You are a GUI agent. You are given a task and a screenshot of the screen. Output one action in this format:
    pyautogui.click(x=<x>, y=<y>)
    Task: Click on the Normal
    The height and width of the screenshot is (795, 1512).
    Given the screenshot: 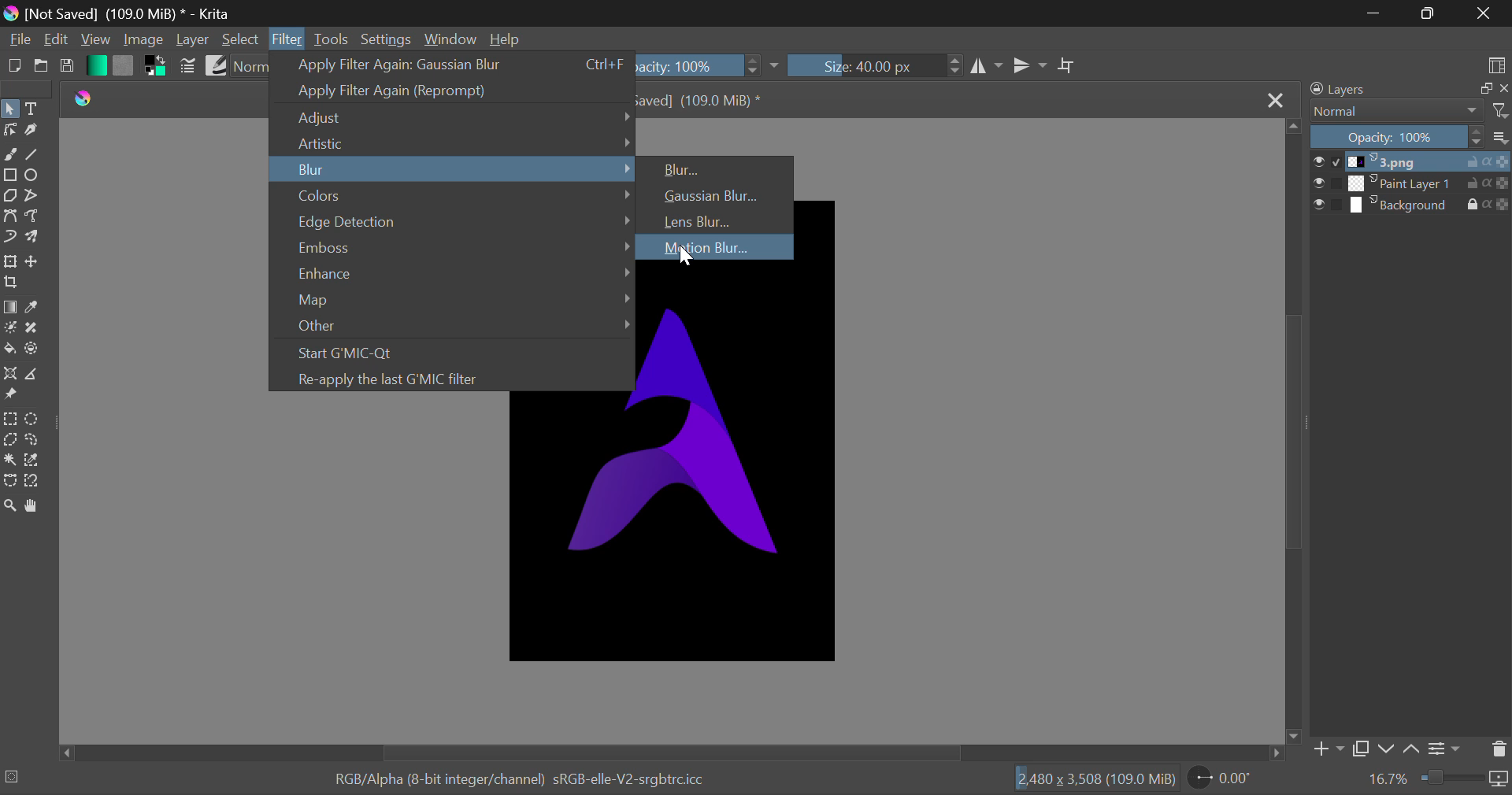 What is the action you would take?
    pyautogui.click(x=1408, y=111)
    